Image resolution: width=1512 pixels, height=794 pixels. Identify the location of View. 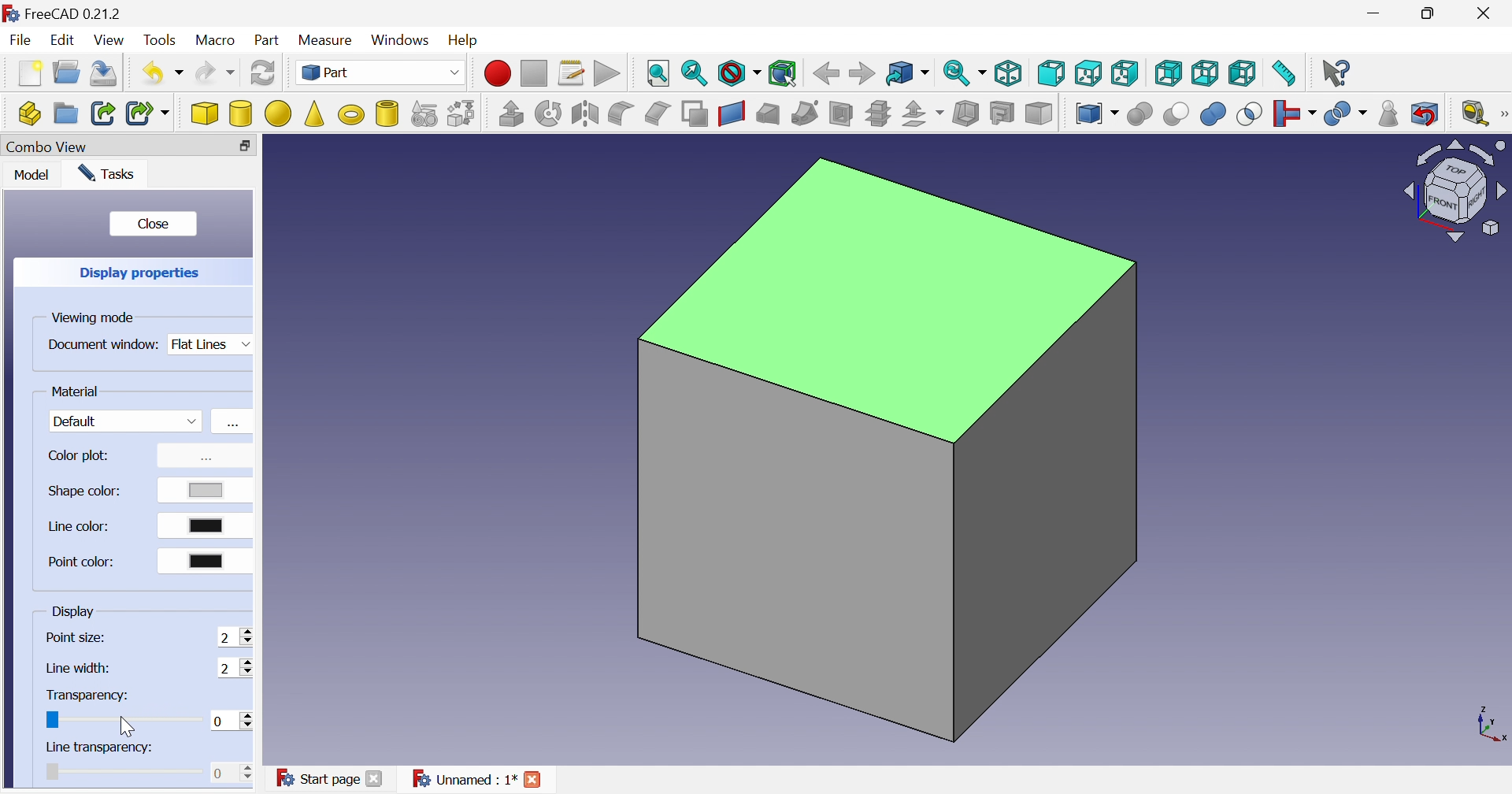
(111, 40).